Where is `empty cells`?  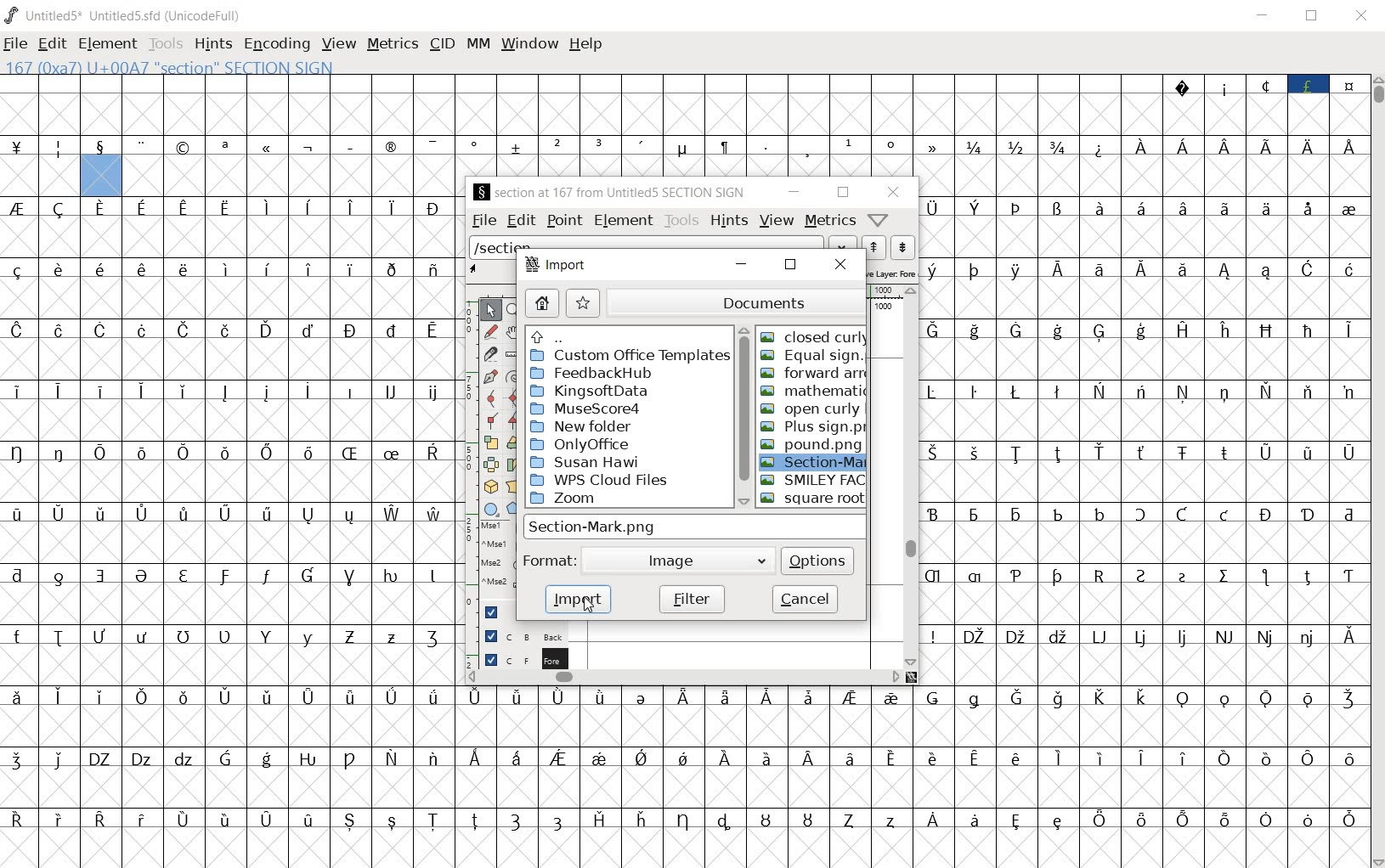
empty cells is located at coordinates (231, 238).